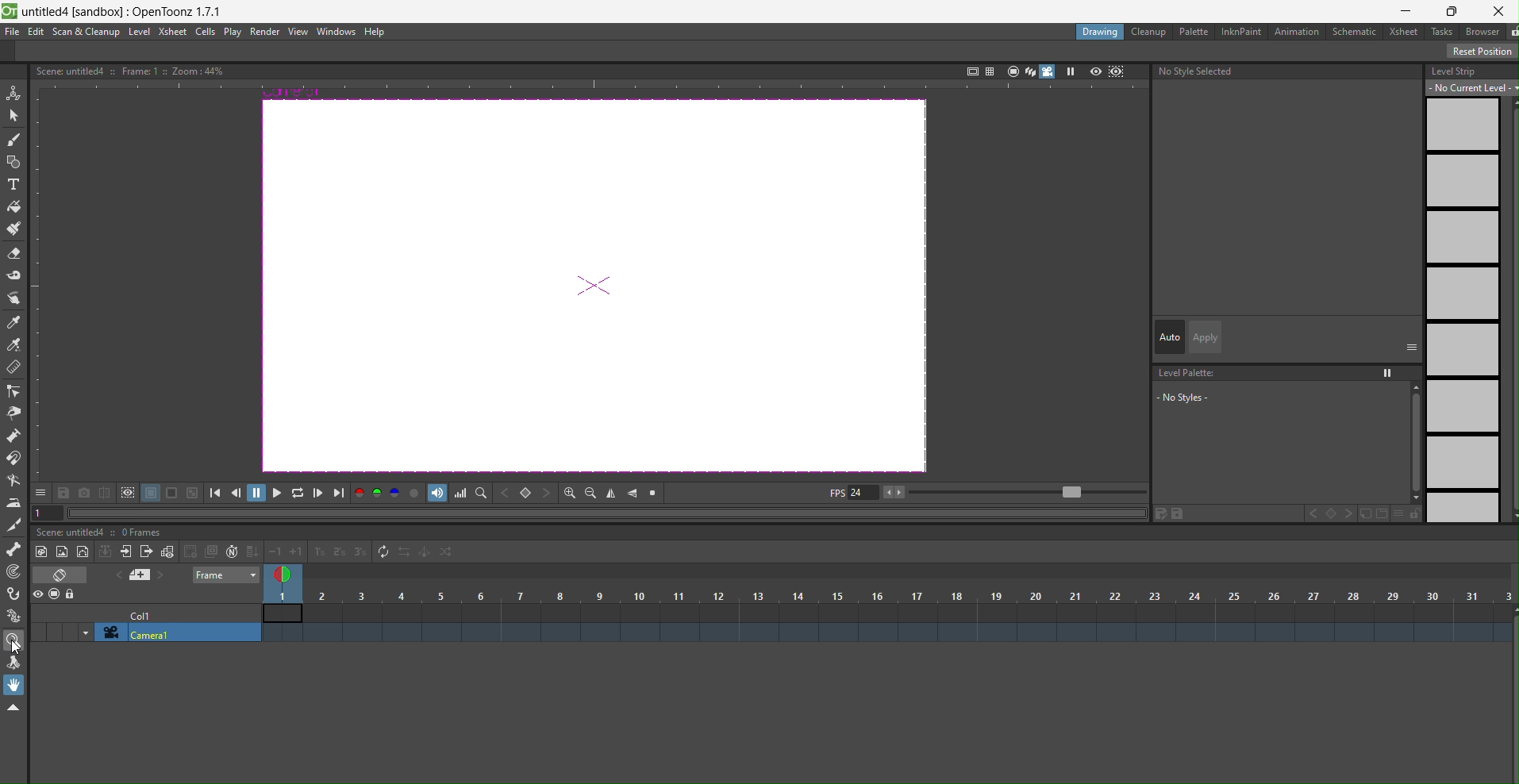 Image resolution: width=1519 pixels, height=784 pixels. What do you see at coordinates (17, 709) in the screenshot?
I see `hide toolbar` at bounding box center [17, 709].